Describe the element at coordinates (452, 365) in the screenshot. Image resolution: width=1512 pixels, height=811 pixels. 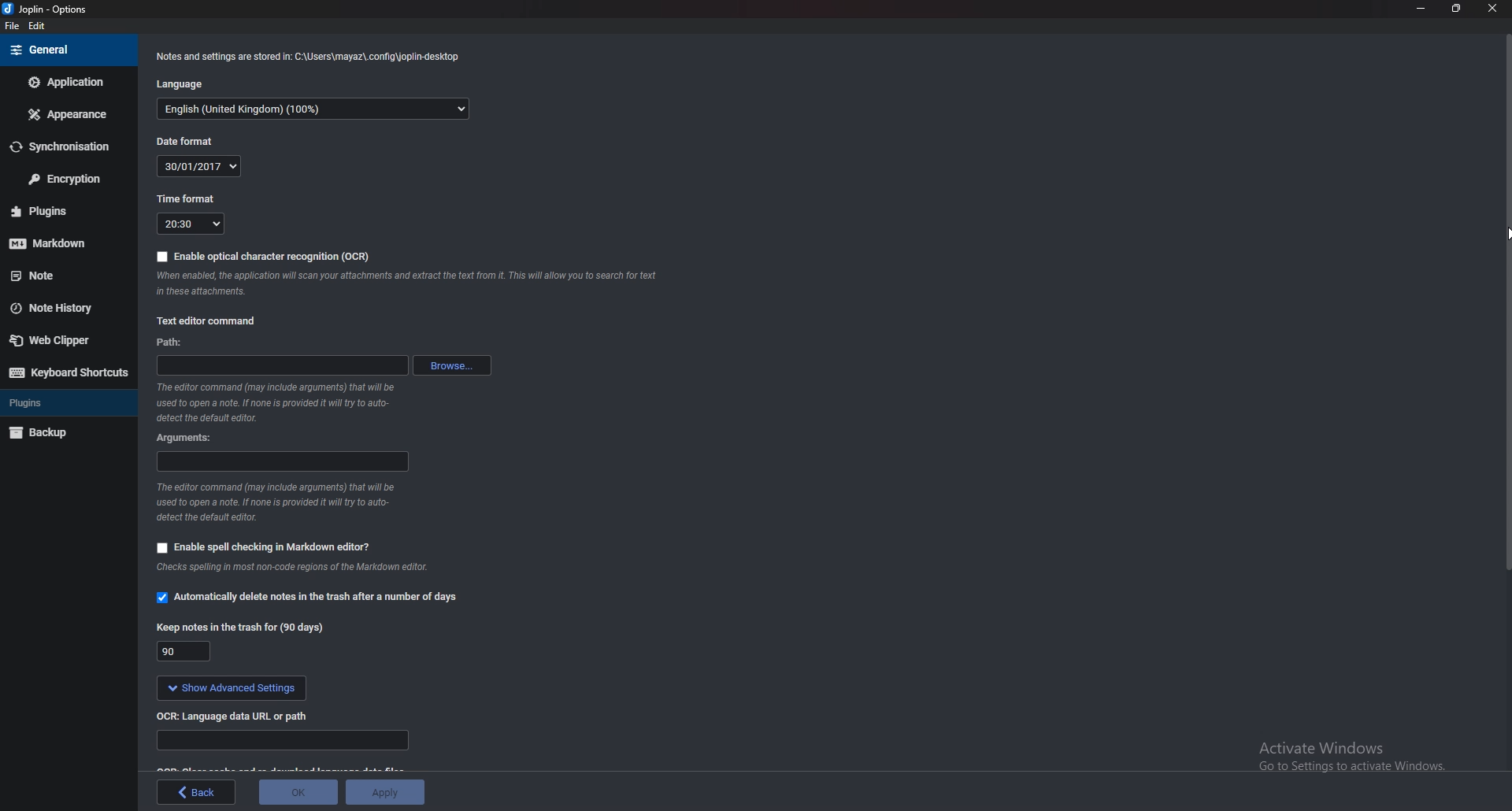
I see `browse` at that location.